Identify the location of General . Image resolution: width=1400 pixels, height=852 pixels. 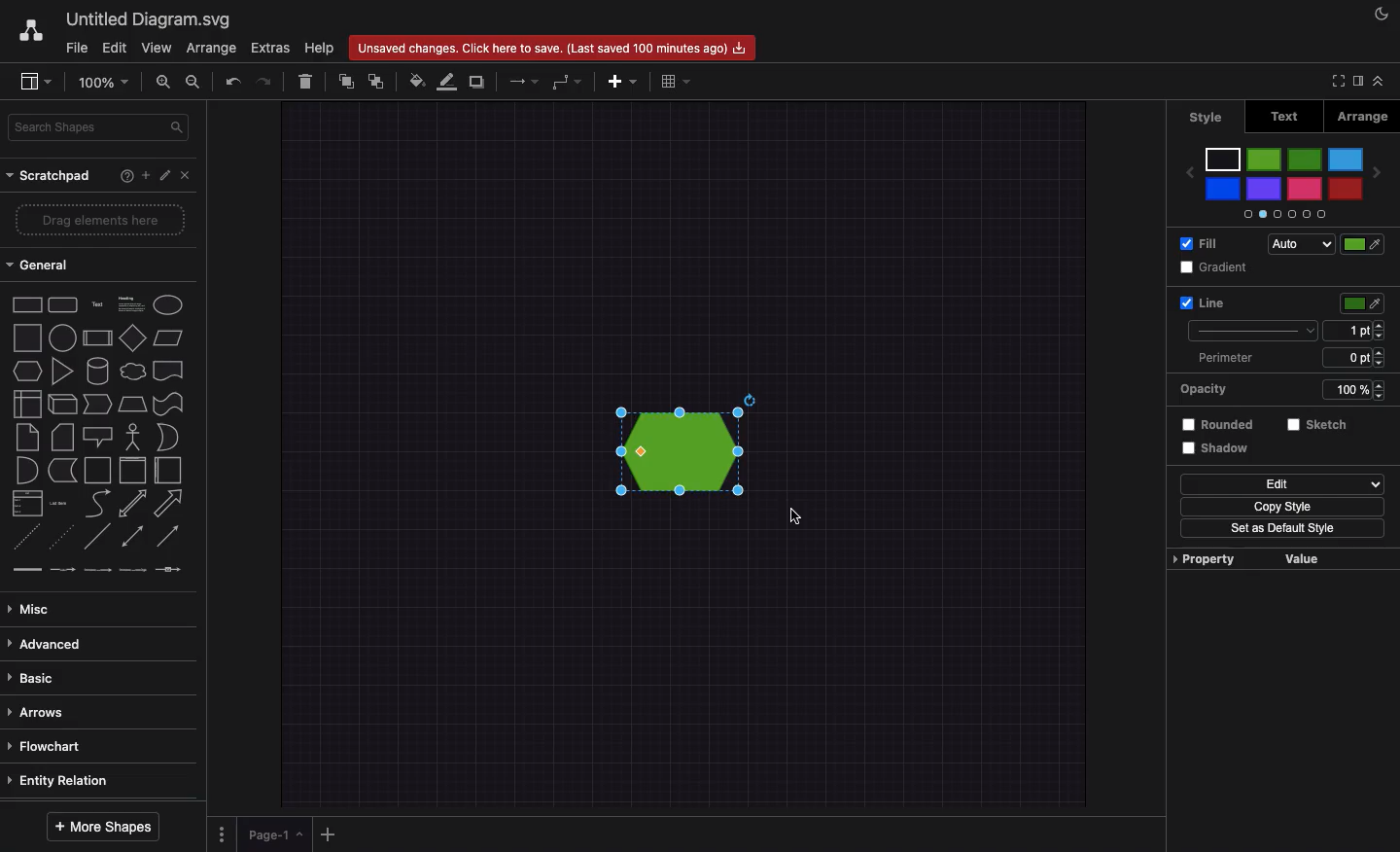
(41, 263).